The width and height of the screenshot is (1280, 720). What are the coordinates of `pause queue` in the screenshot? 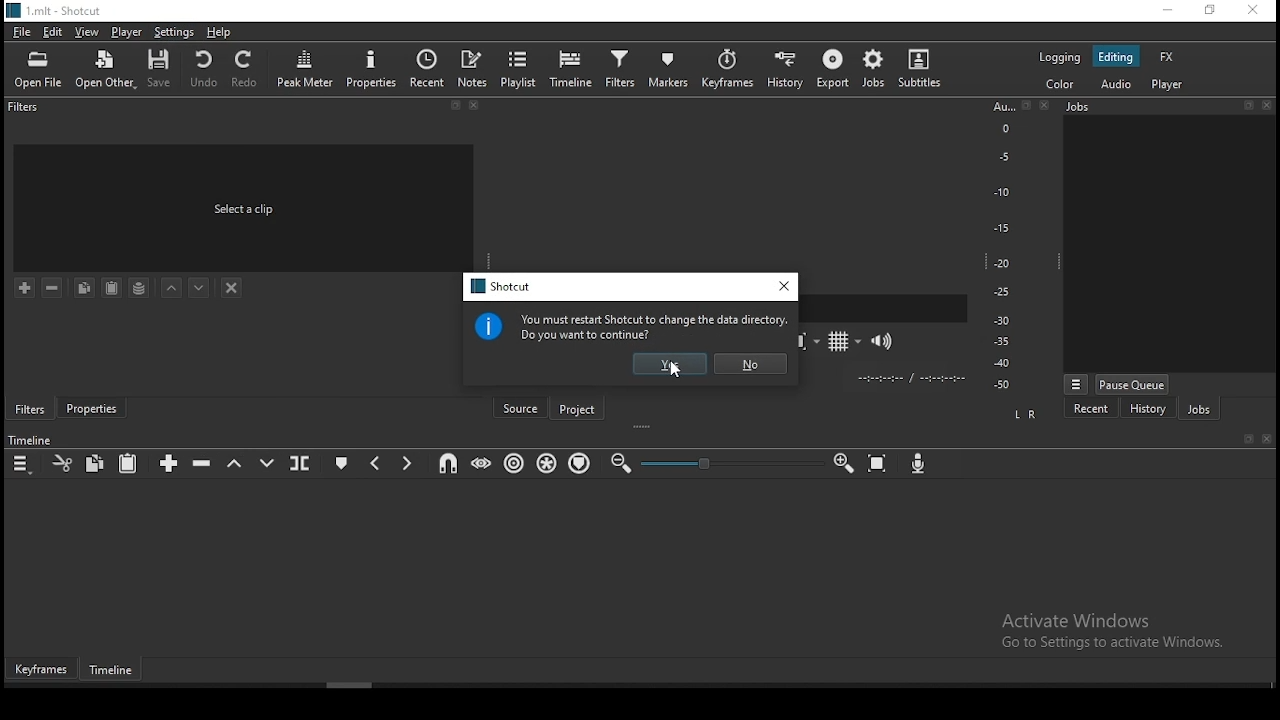 It's located at (1134, 384).